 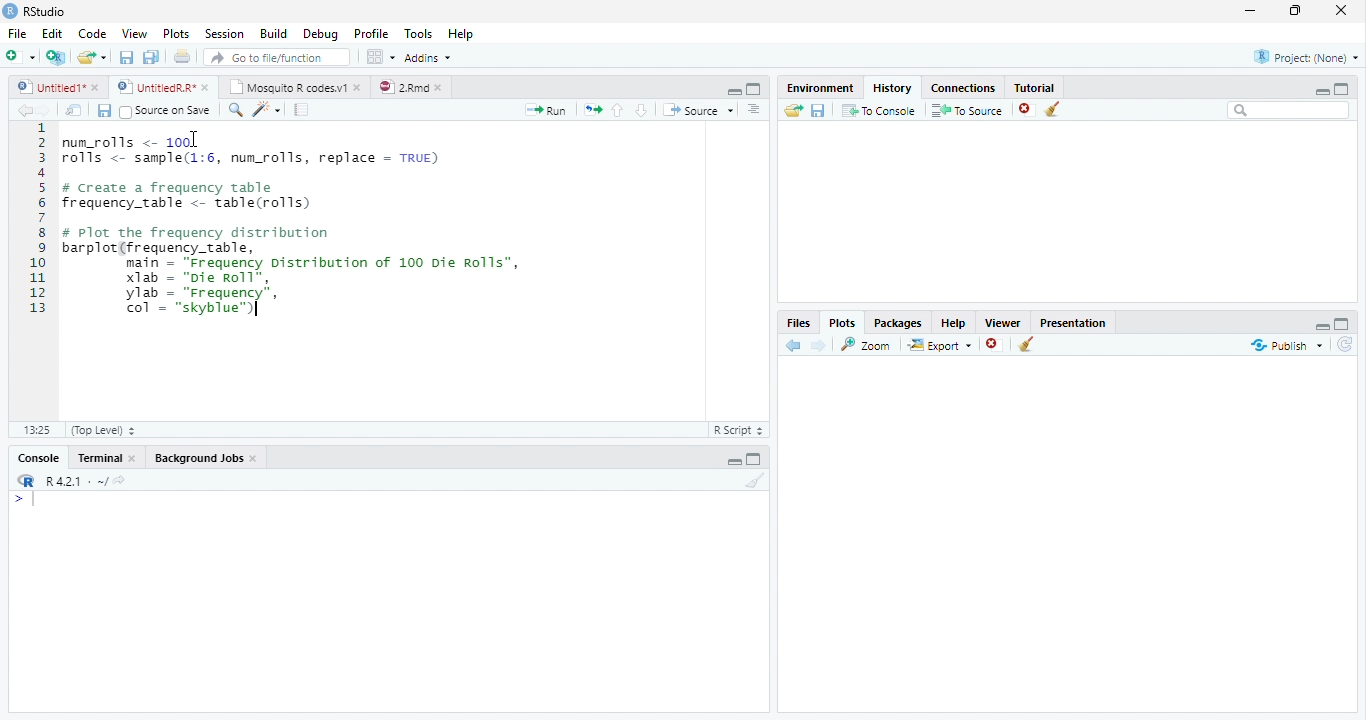 What do you see at coordinates (192, 141) in the screenshot?
I see `Mouse Cursor` at bounding box center [192, 141].